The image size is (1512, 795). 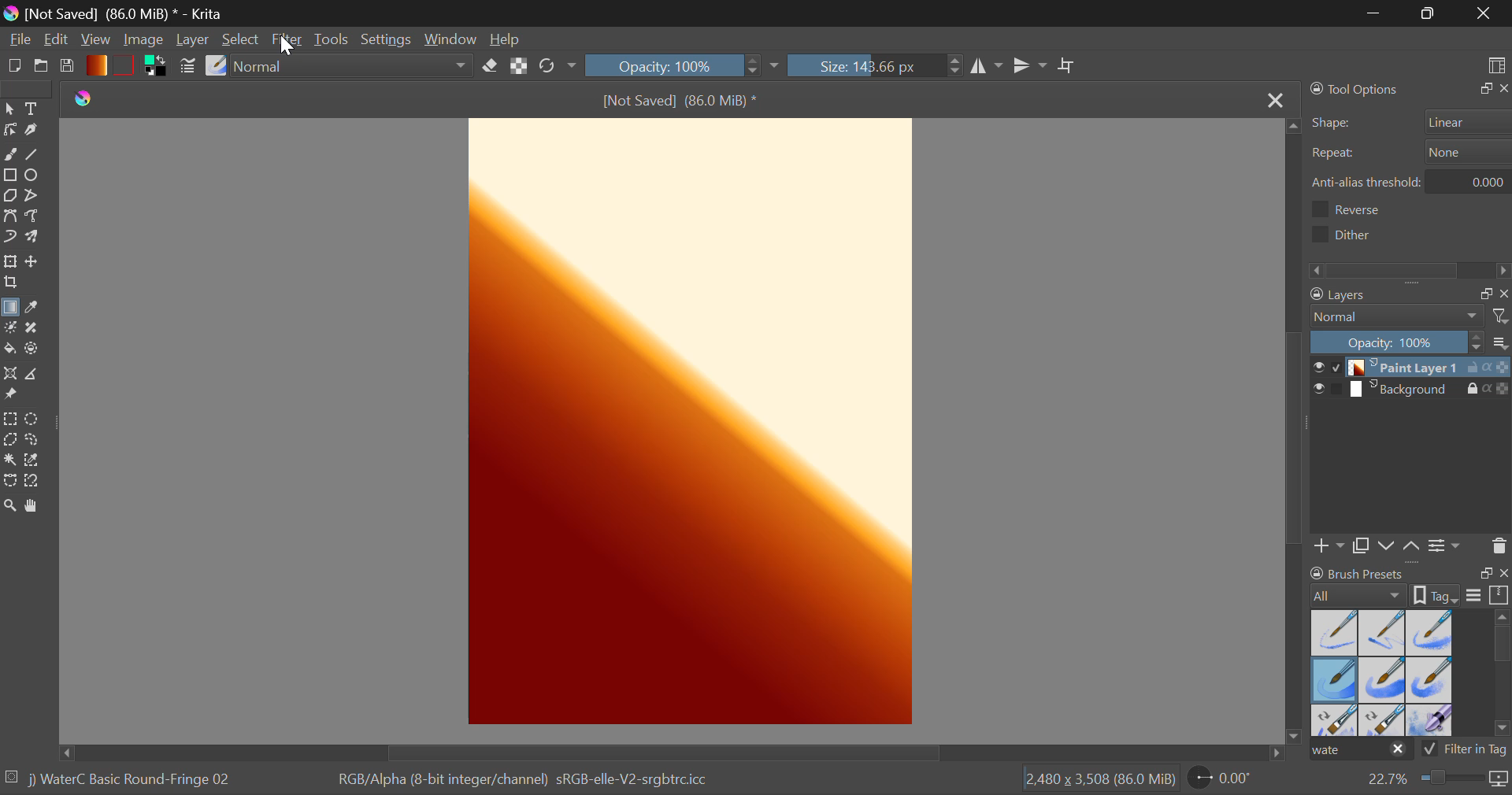 What do you see at coordinates (9, 420) in the screenshot?
I see `Rectangular Selection` at bounding box center [9, 420].